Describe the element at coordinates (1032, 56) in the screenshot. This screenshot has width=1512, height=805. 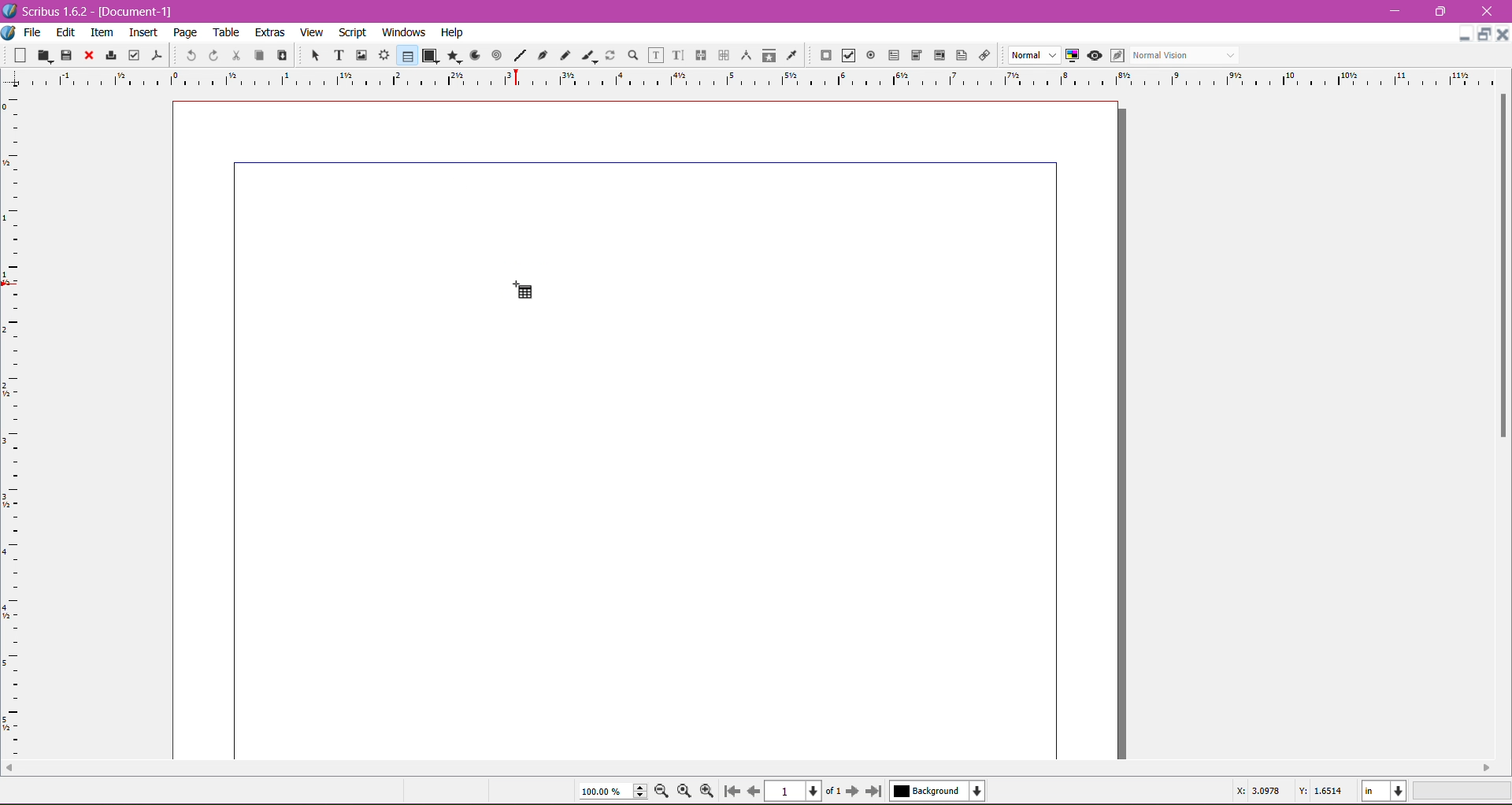
I see `Normal` at that location.